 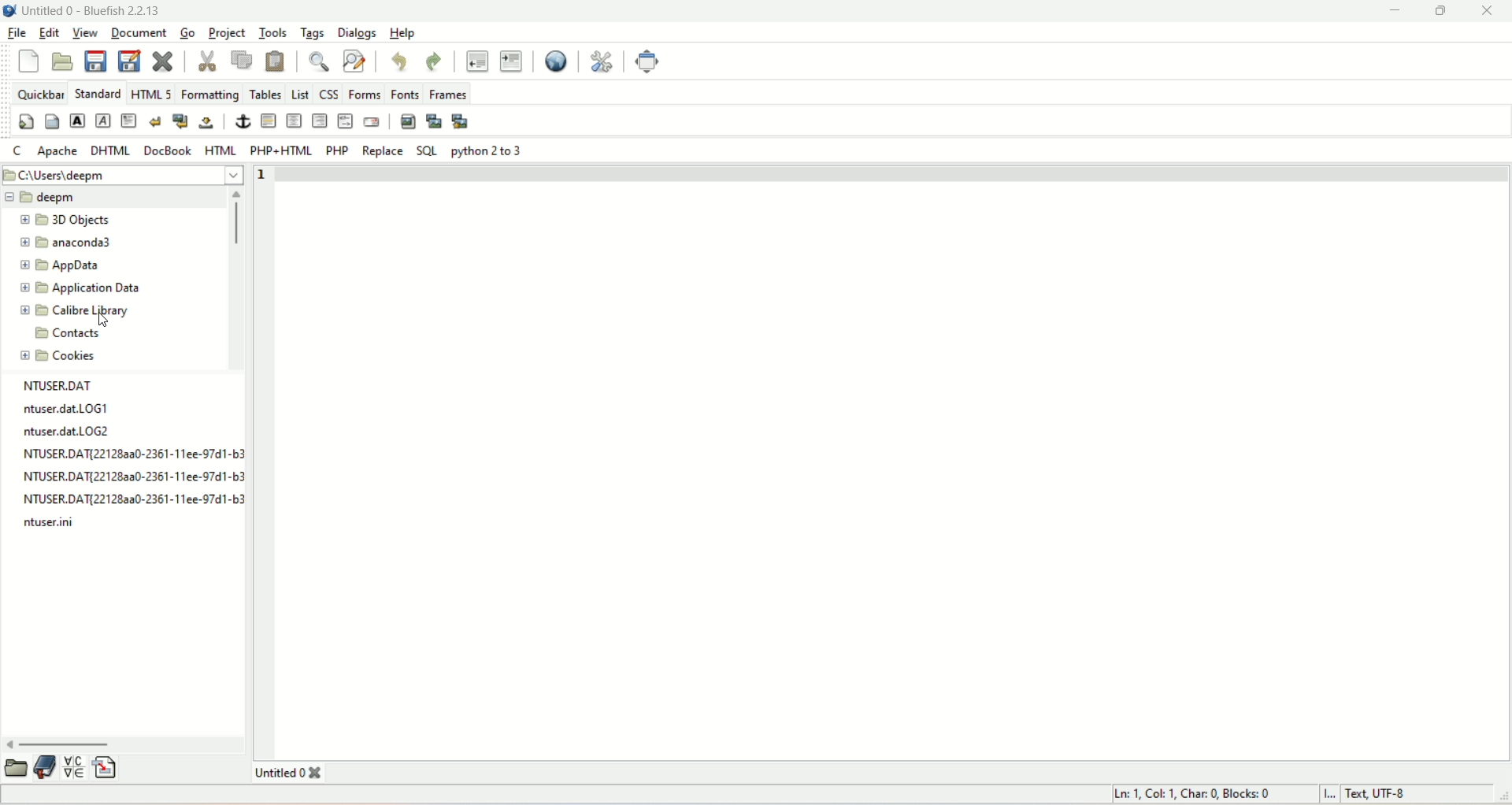 What do you see at coordinates (78, 289) in the screenshot?
I see `application data` at bounding box center [78, 289].